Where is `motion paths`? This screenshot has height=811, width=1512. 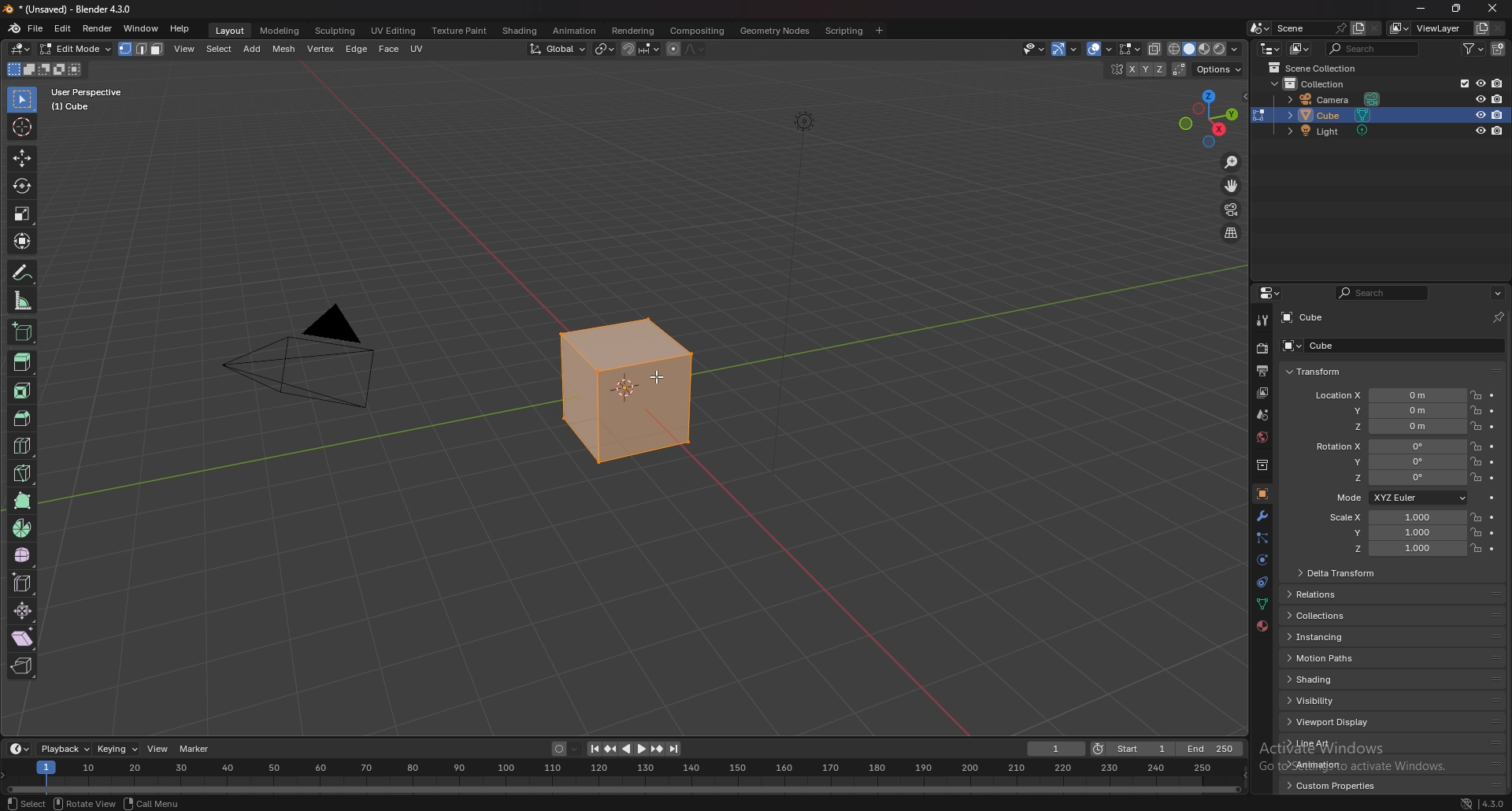 motion paths is located at coordinates (1329, 658).